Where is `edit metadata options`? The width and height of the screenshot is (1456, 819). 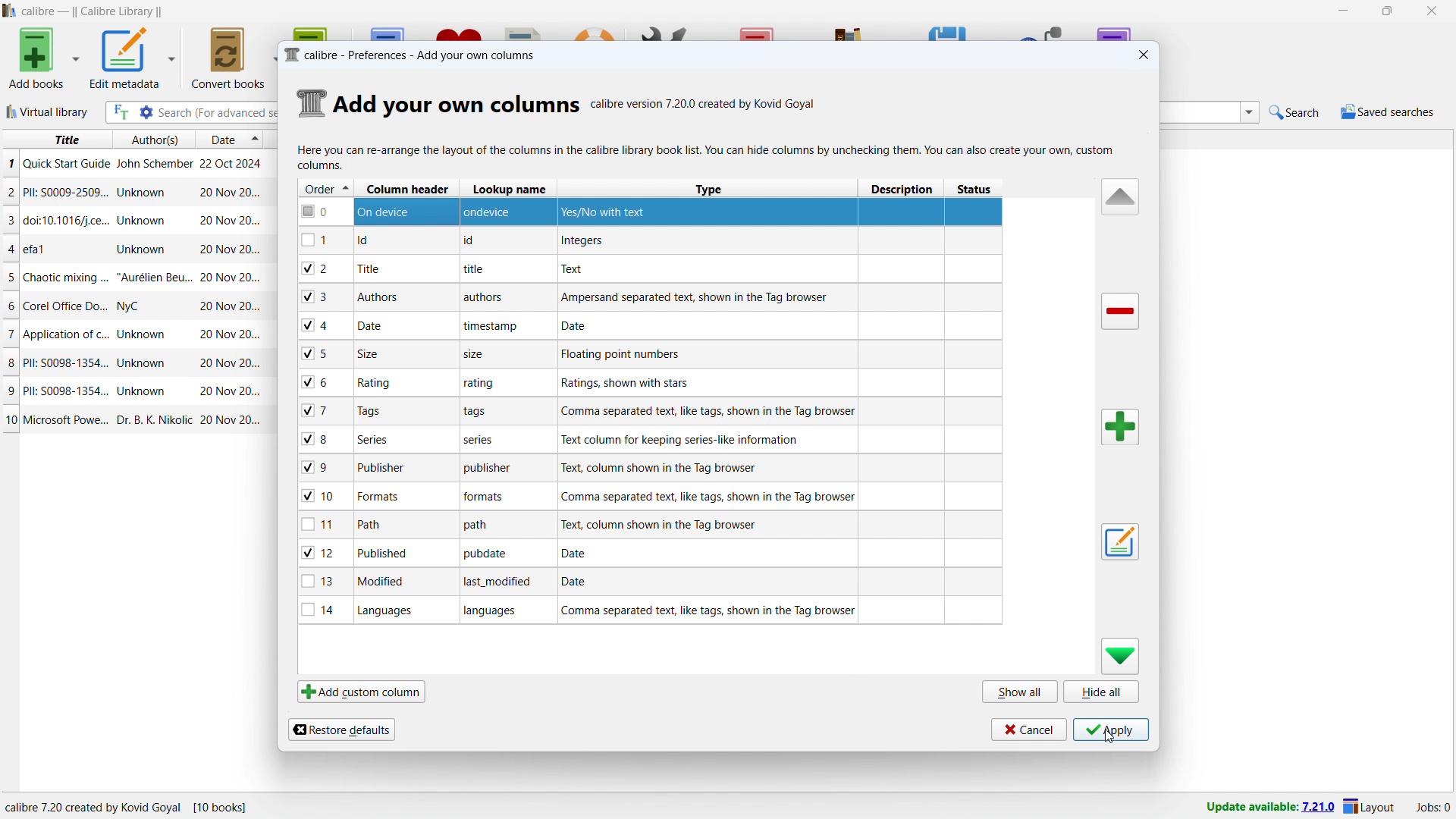
edit metadata options is located at coordinates (172, 55).